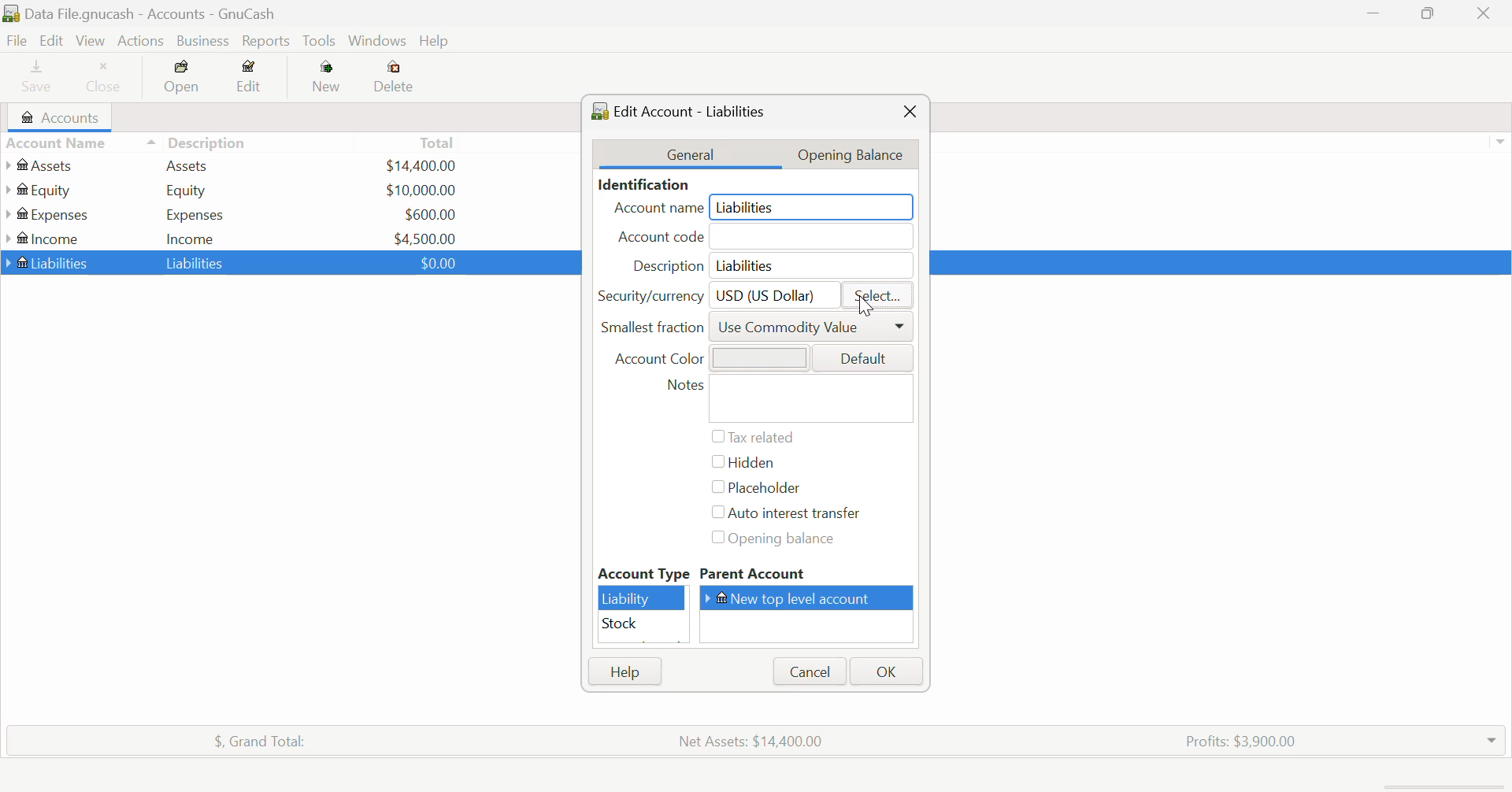  I want to click on Income Account, so click(47, 239).